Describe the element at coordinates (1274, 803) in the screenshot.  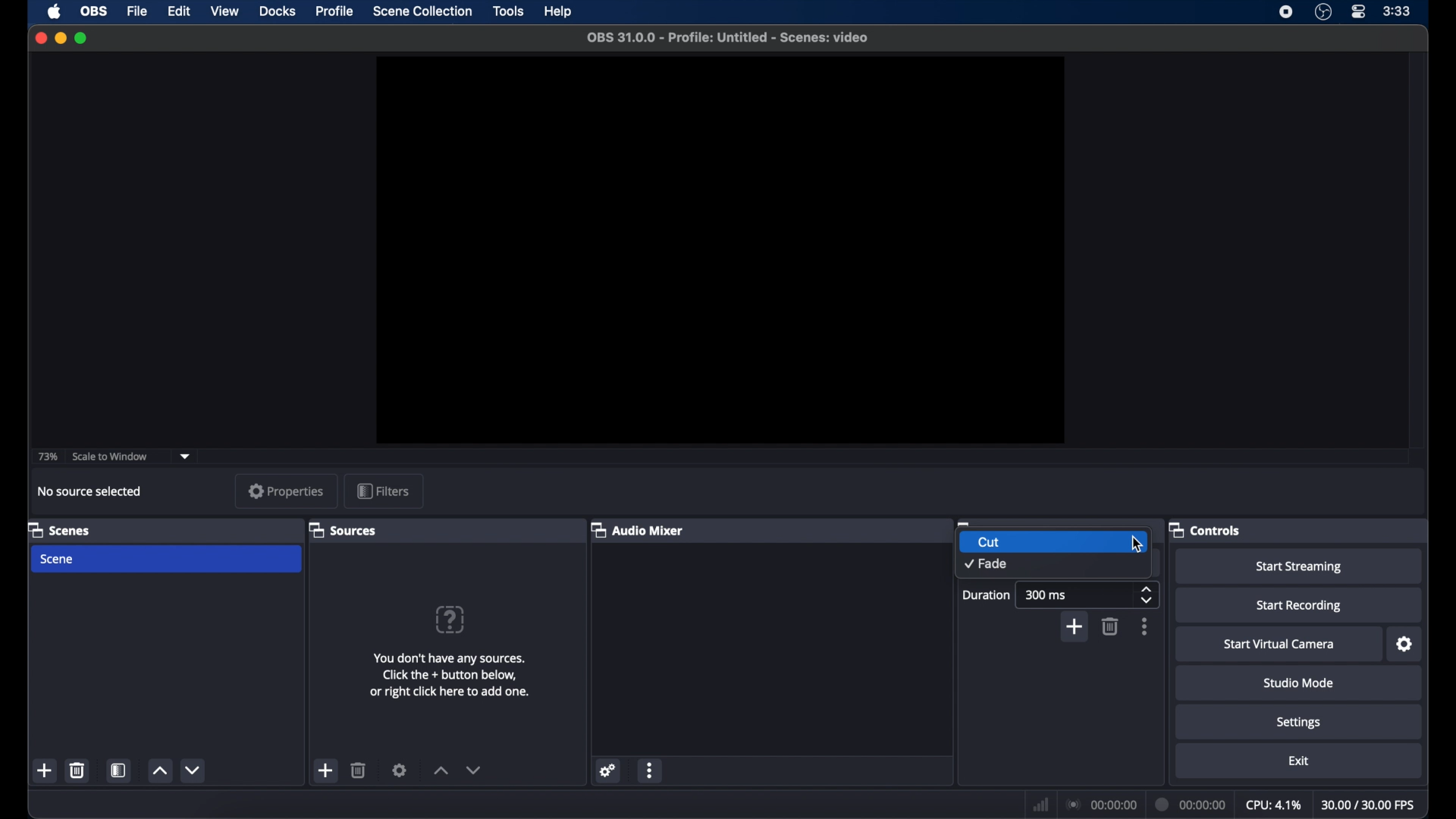
I see `cpu` at that location.